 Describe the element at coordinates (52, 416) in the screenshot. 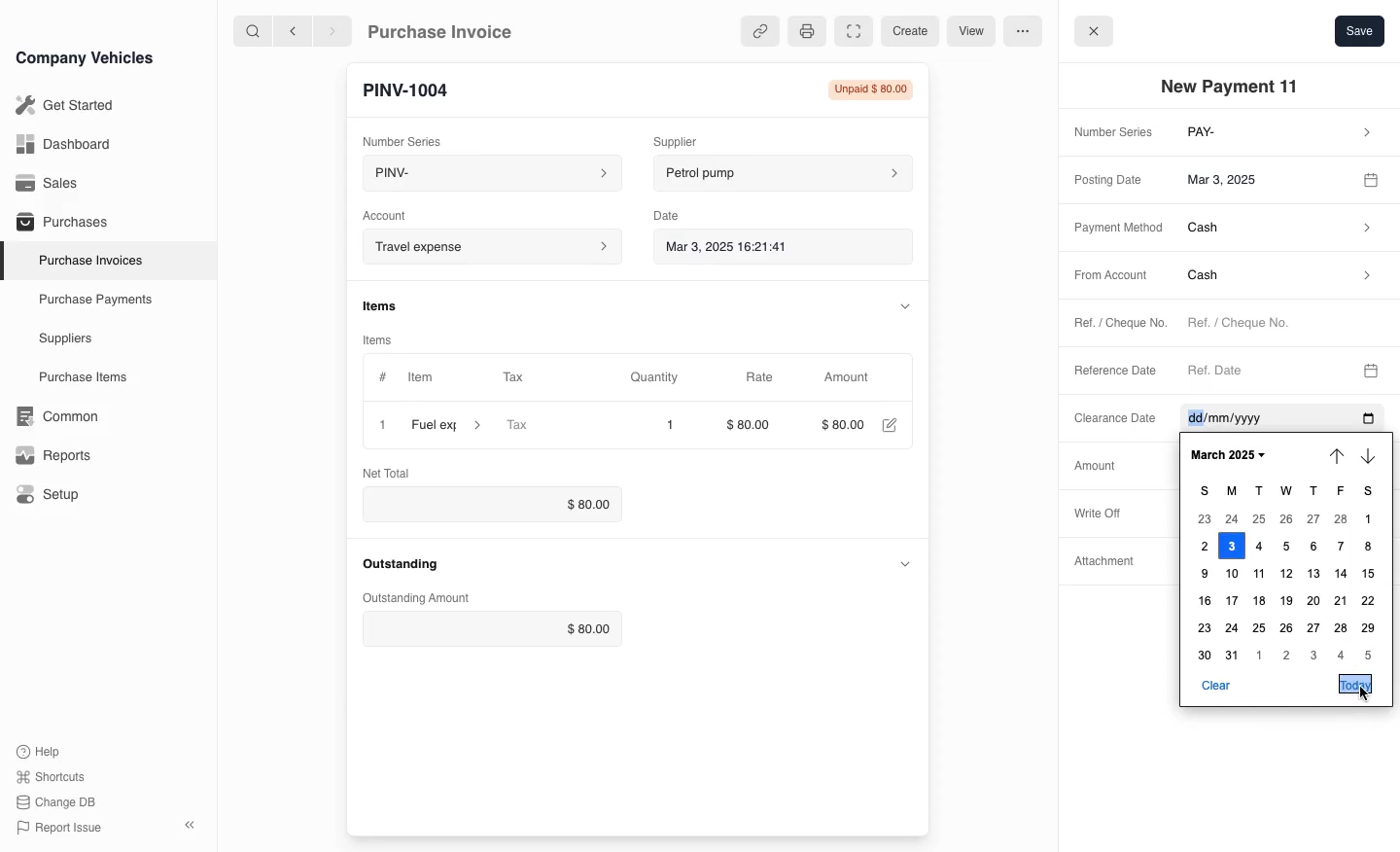

I see `Common` at that location.